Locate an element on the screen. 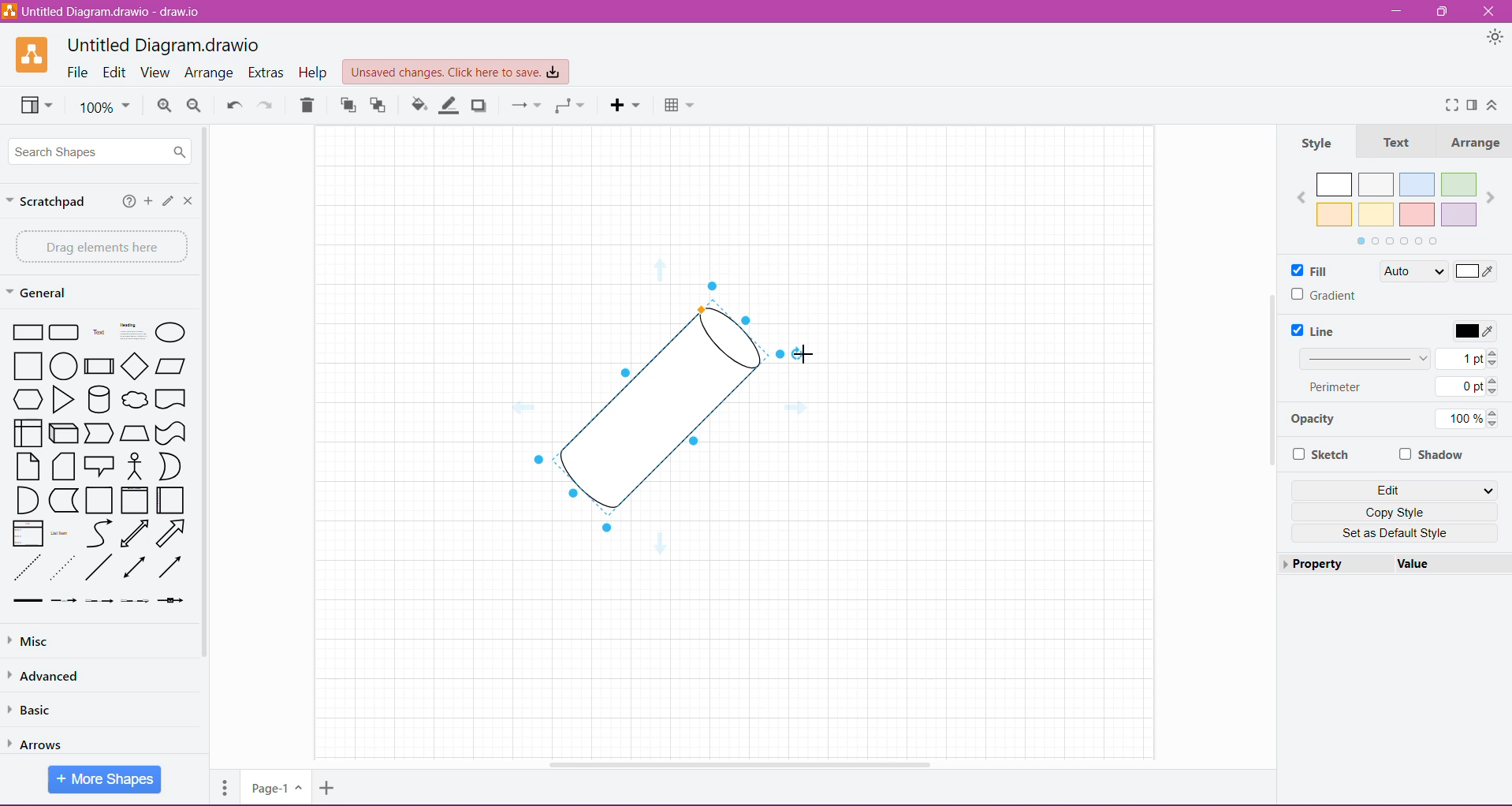 This screenshot has height=806, width=1512. Edit is located at coordinates (114, 72).